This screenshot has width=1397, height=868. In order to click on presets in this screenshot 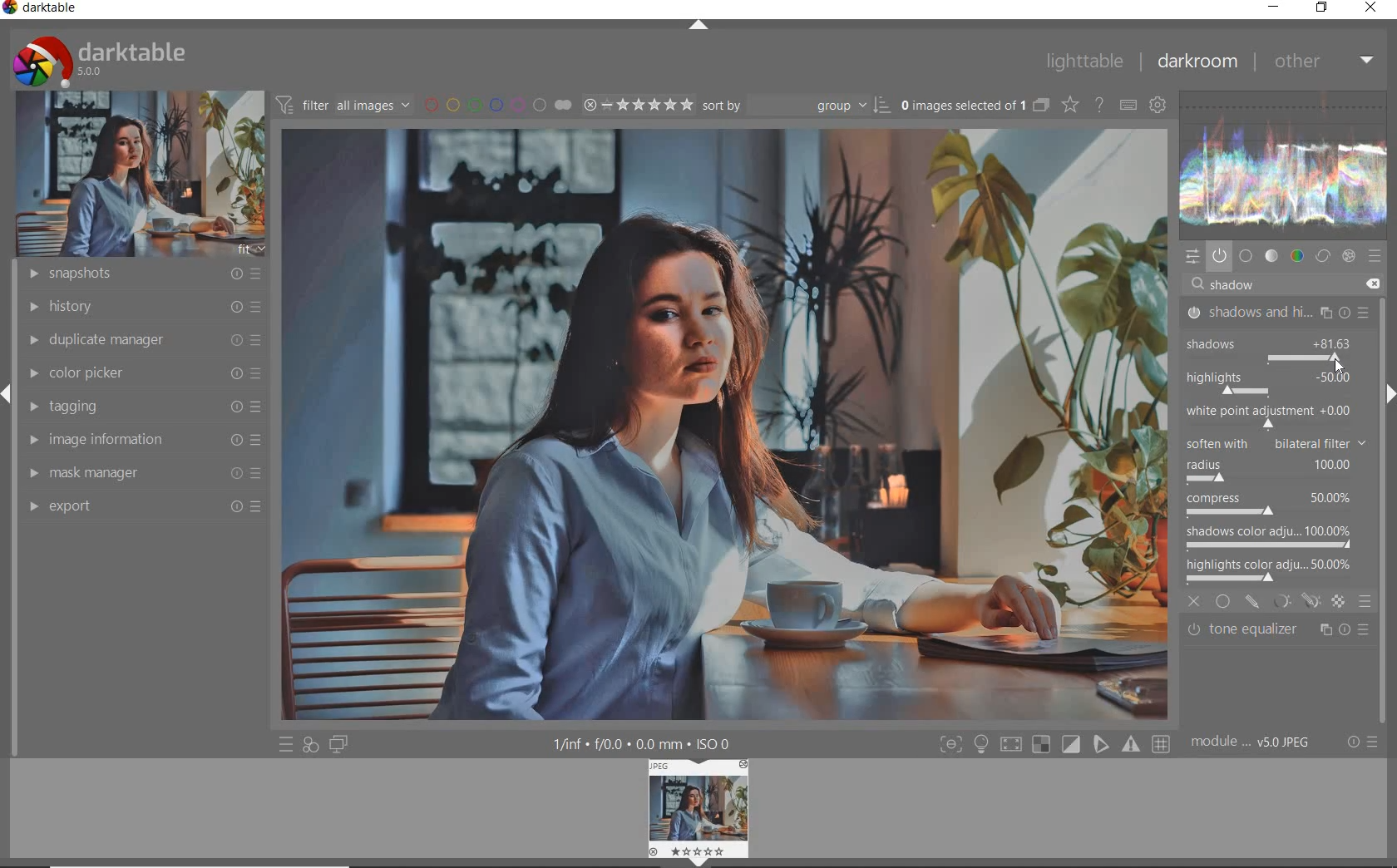, I will do `click(1375, 255)`.